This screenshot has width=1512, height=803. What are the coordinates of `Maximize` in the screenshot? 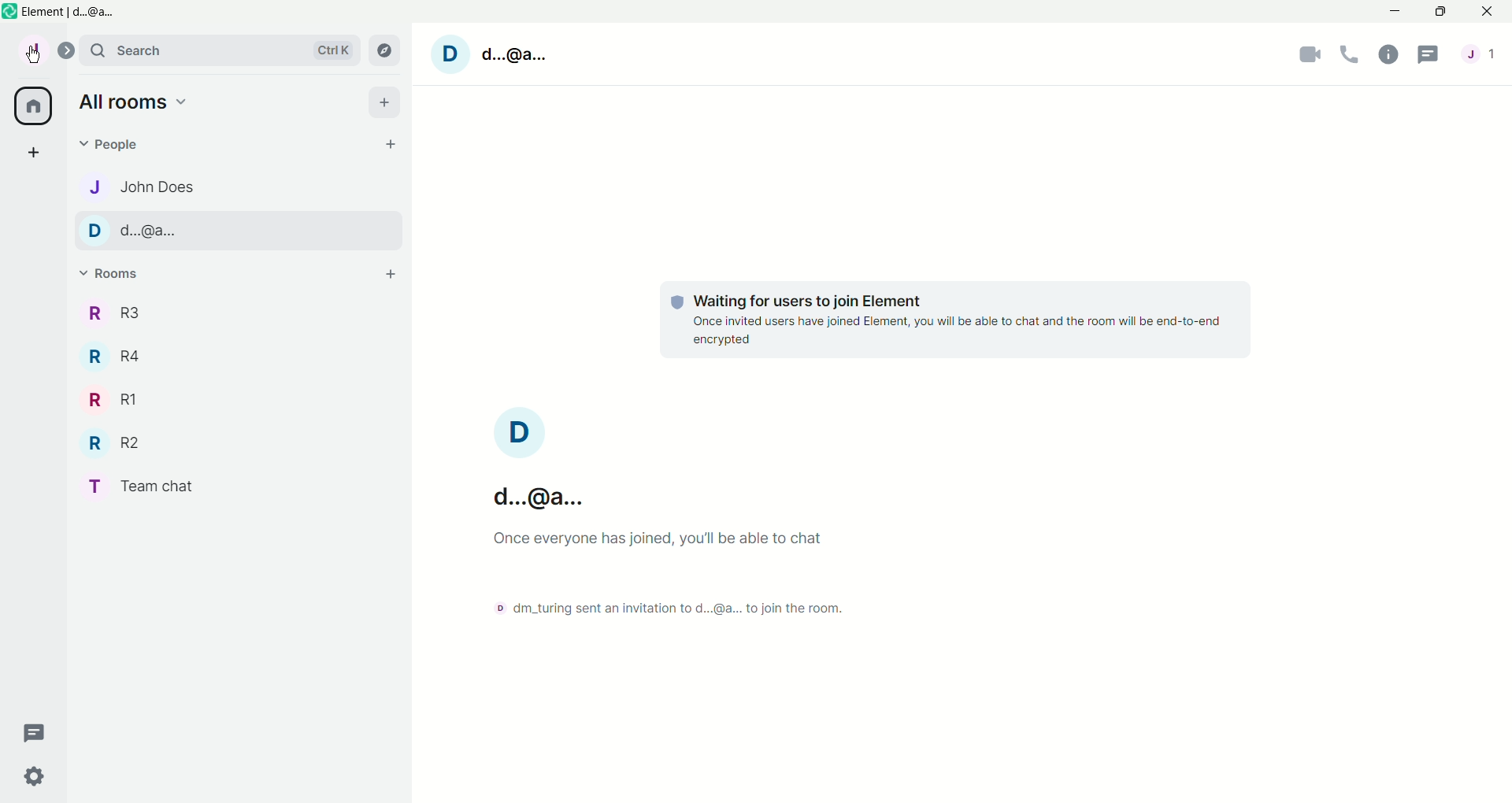 It's located at (1443, 11).